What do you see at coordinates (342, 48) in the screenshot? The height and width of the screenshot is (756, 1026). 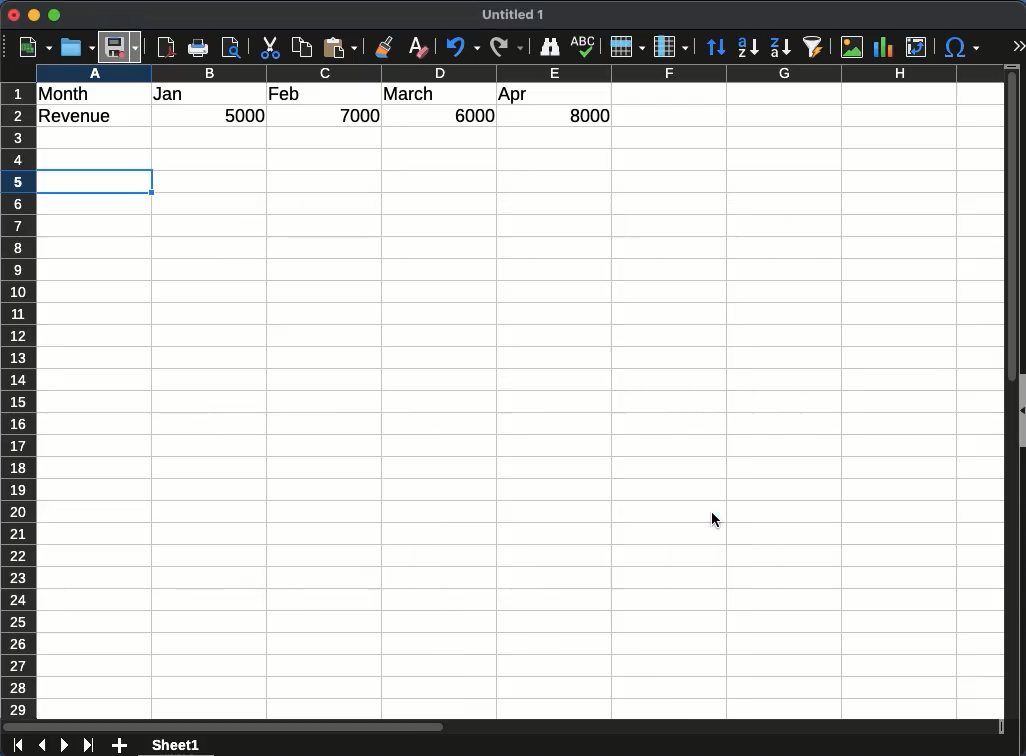 I see `paste` at bounding box center [342, 48].